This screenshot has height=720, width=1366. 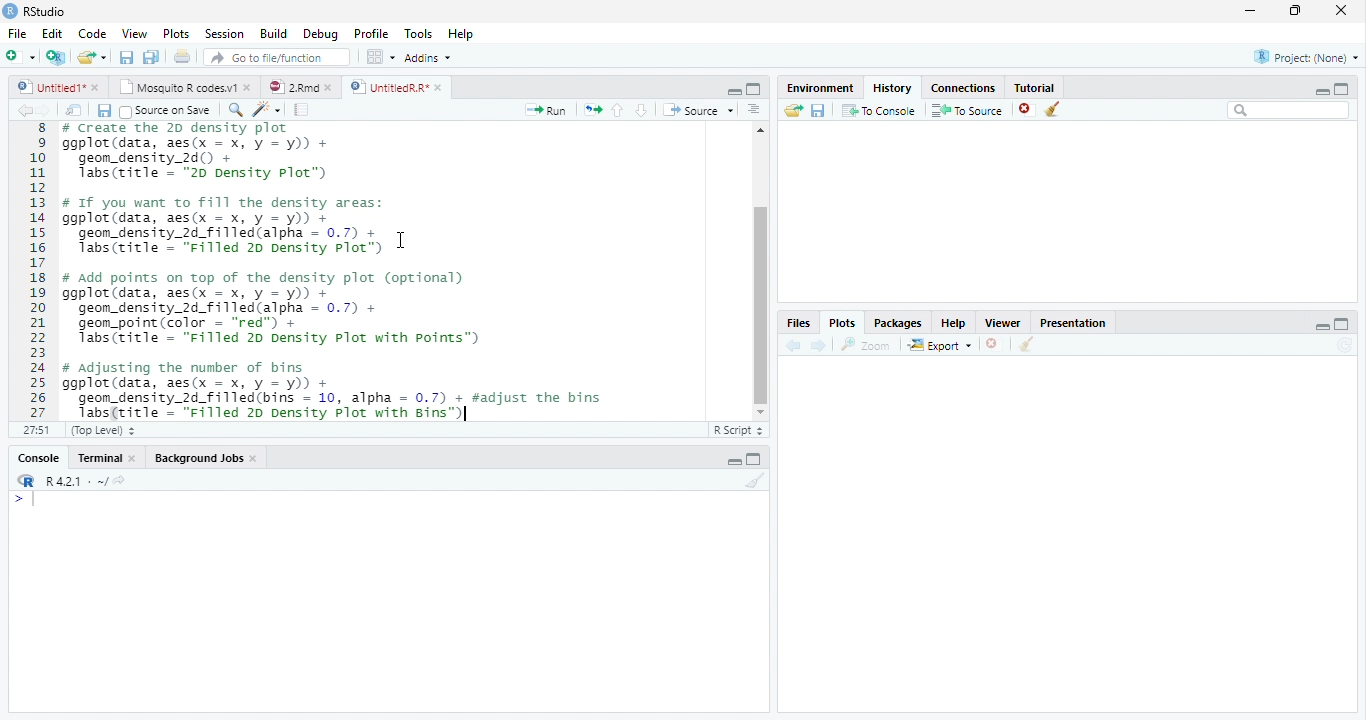 I want to click on Scrollbar down, so click(x=760, y=412).